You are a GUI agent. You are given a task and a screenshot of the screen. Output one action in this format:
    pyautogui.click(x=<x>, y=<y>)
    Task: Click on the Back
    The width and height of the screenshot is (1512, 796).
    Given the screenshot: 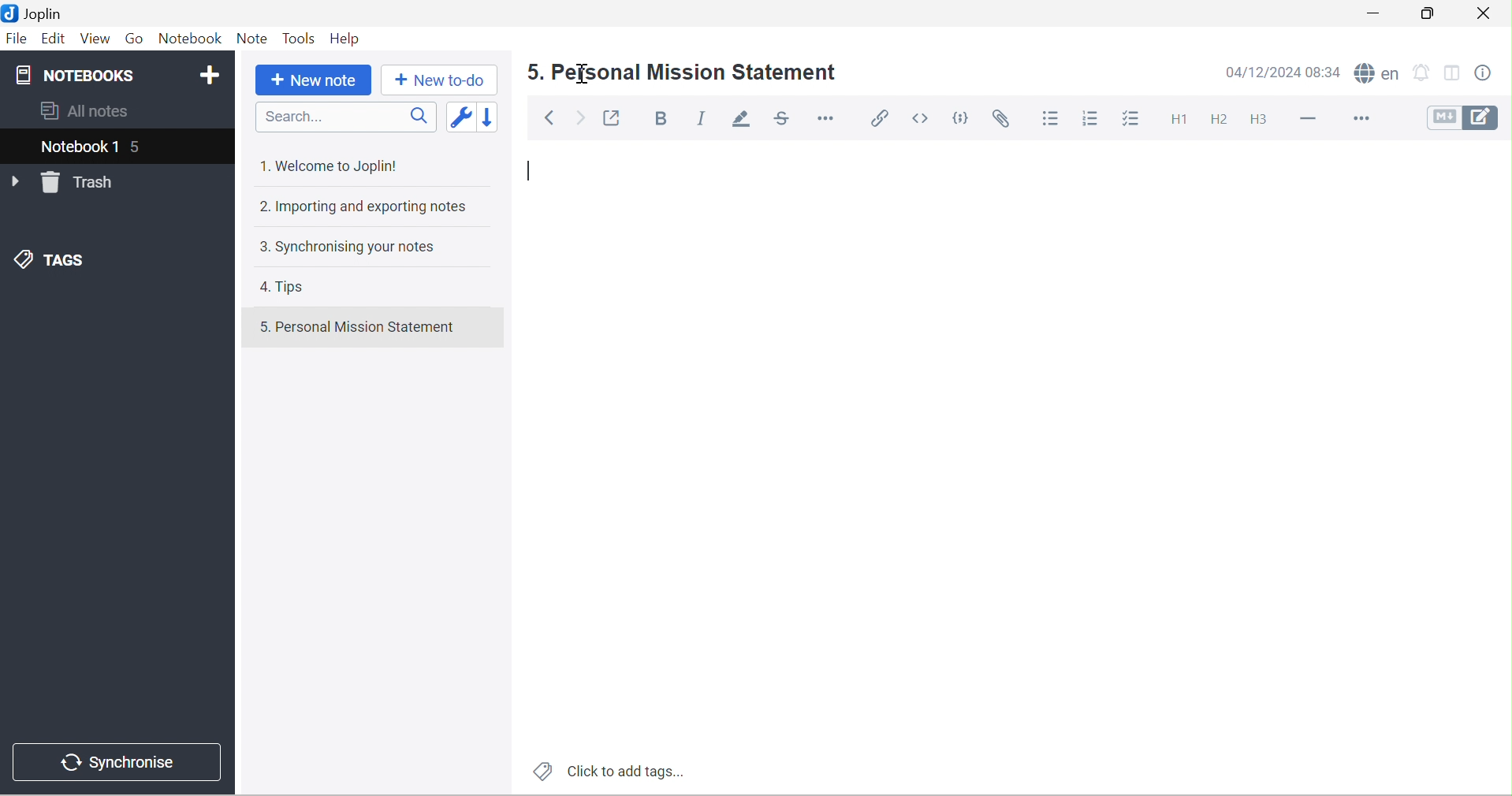 What is the action you would take?
    pyautogui.click(x=550, y=117)
    